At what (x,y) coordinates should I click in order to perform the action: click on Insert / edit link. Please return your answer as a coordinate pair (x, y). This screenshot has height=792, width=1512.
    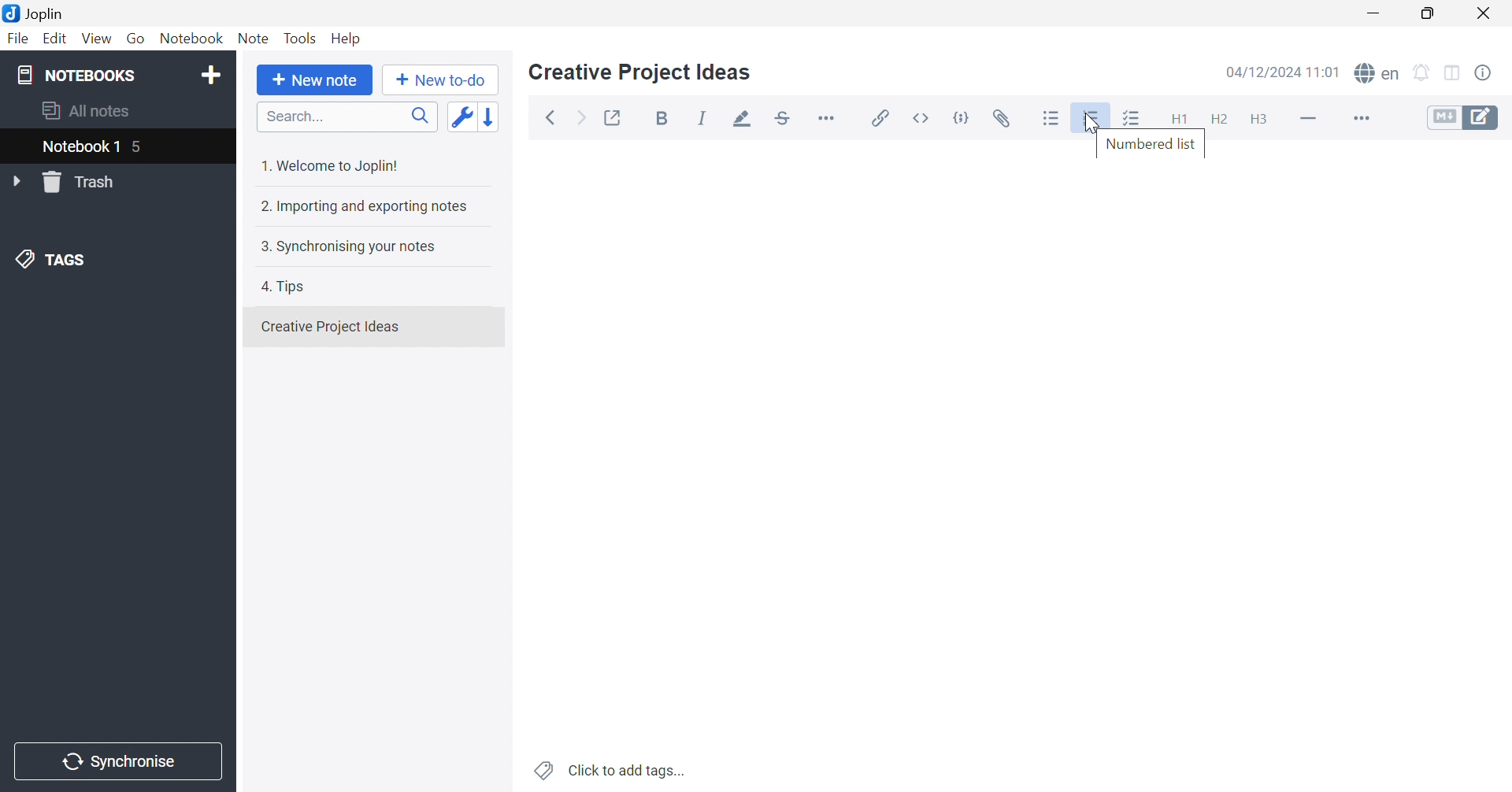
    Looking at the image, I should click on (881, 117).